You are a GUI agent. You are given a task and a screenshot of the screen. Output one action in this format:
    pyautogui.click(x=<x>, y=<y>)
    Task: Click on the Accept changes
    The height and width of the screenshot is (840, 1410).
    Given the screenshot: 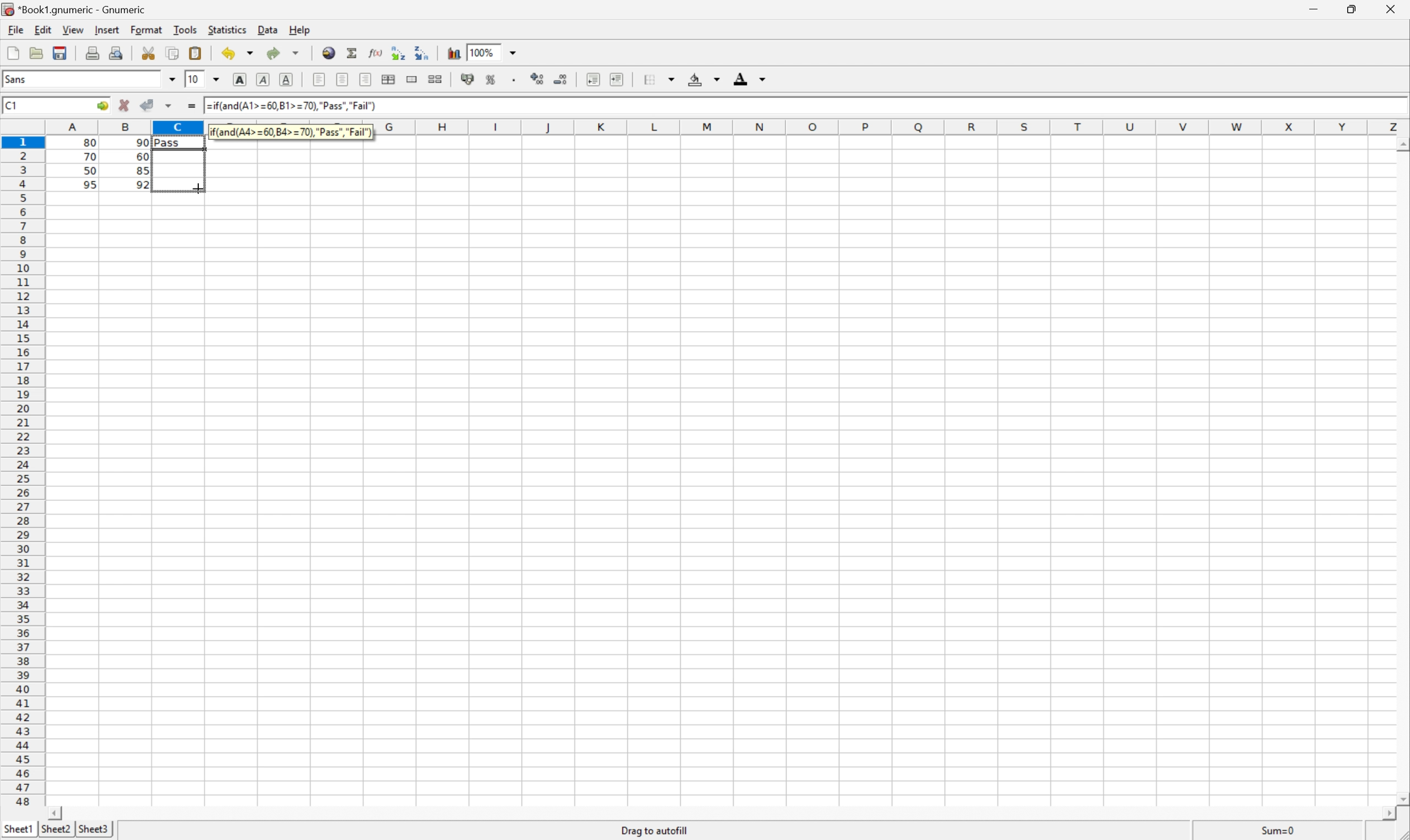 What is the action you would take?
    pyautogui.click(x=146, y=105)
    